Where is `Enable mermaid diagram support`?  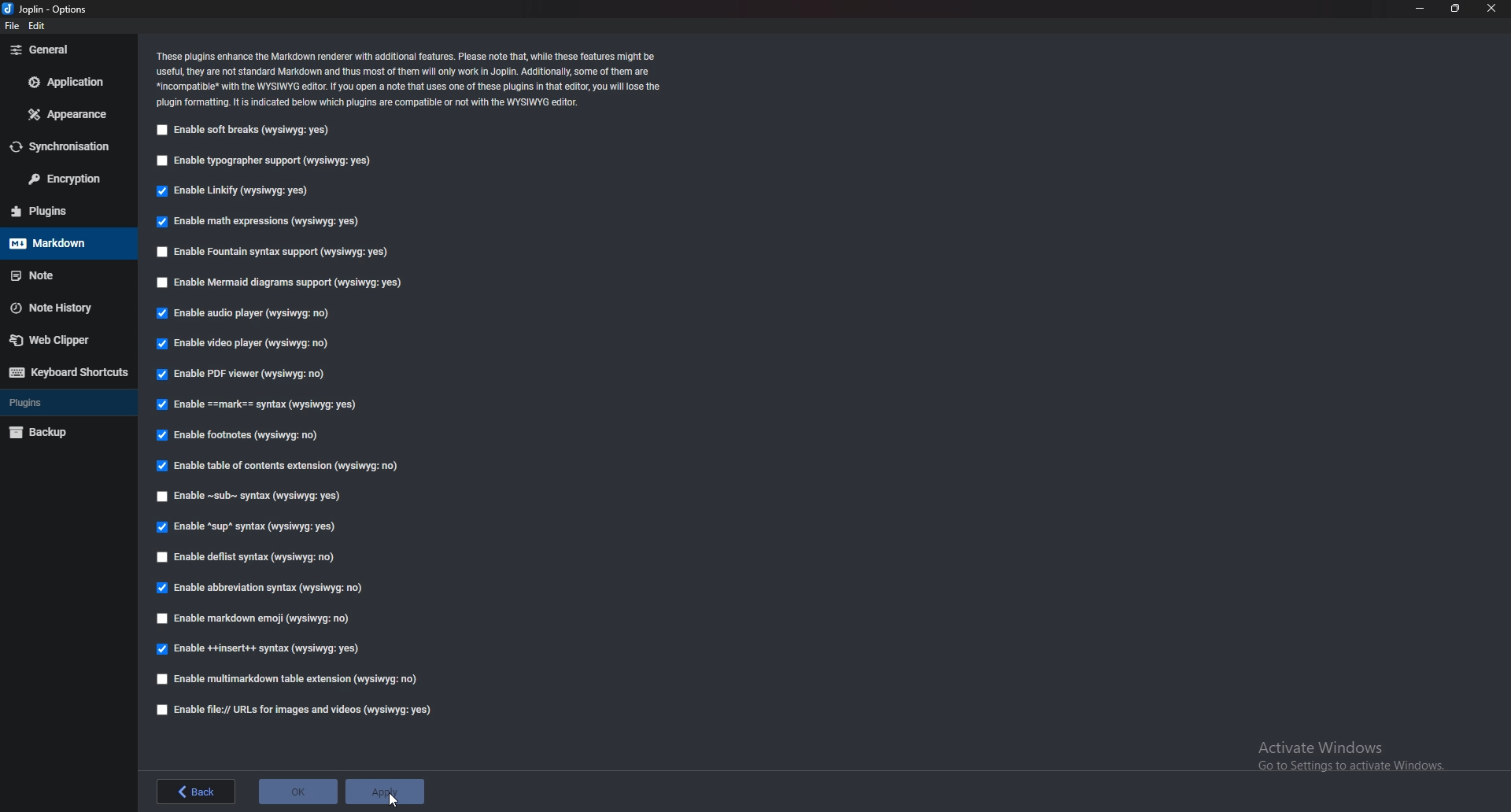
Enable mermaid diagram support is located at coordinates (286, 281).